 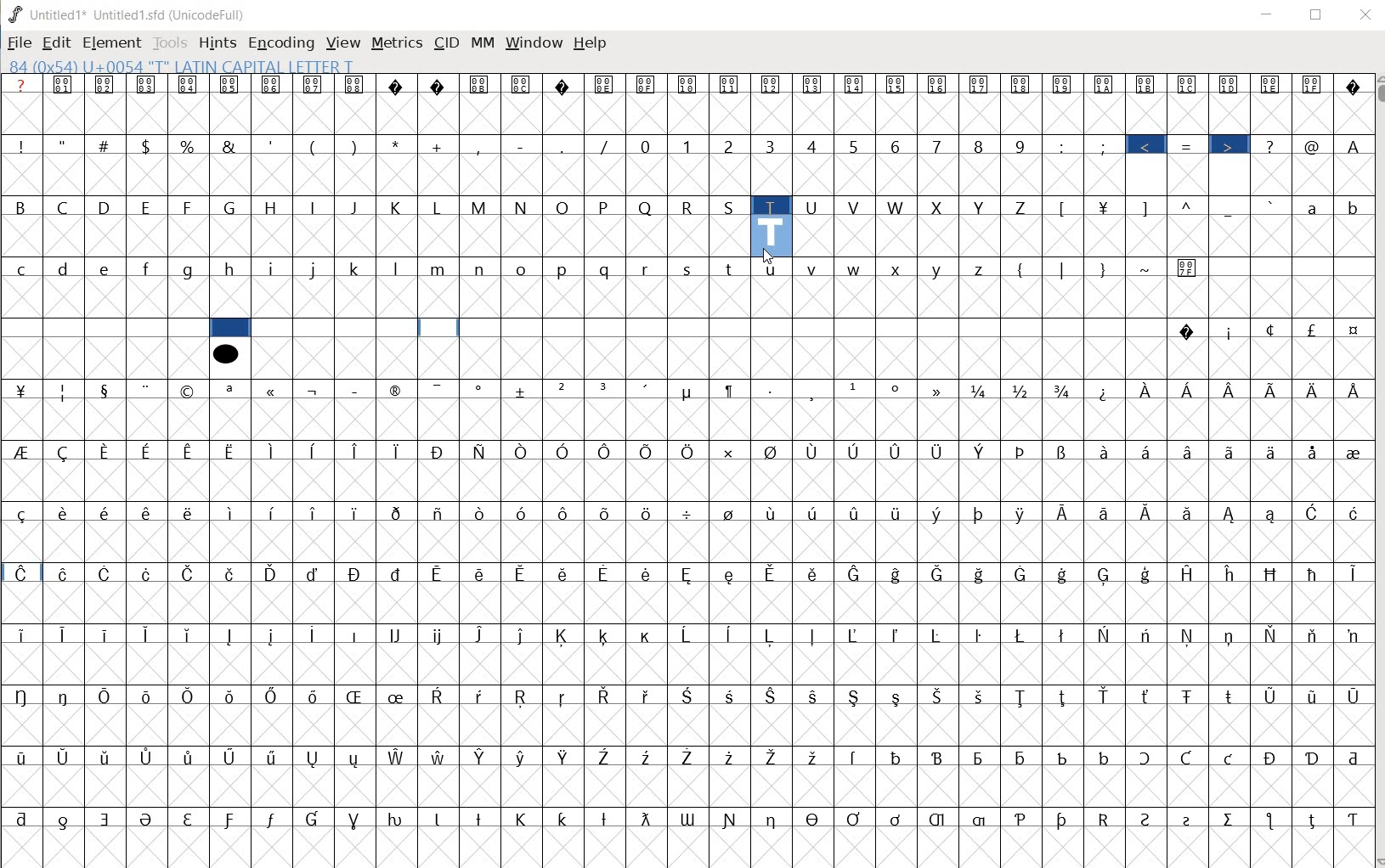 I want to click on Symbol, so click(x=690, y=512).